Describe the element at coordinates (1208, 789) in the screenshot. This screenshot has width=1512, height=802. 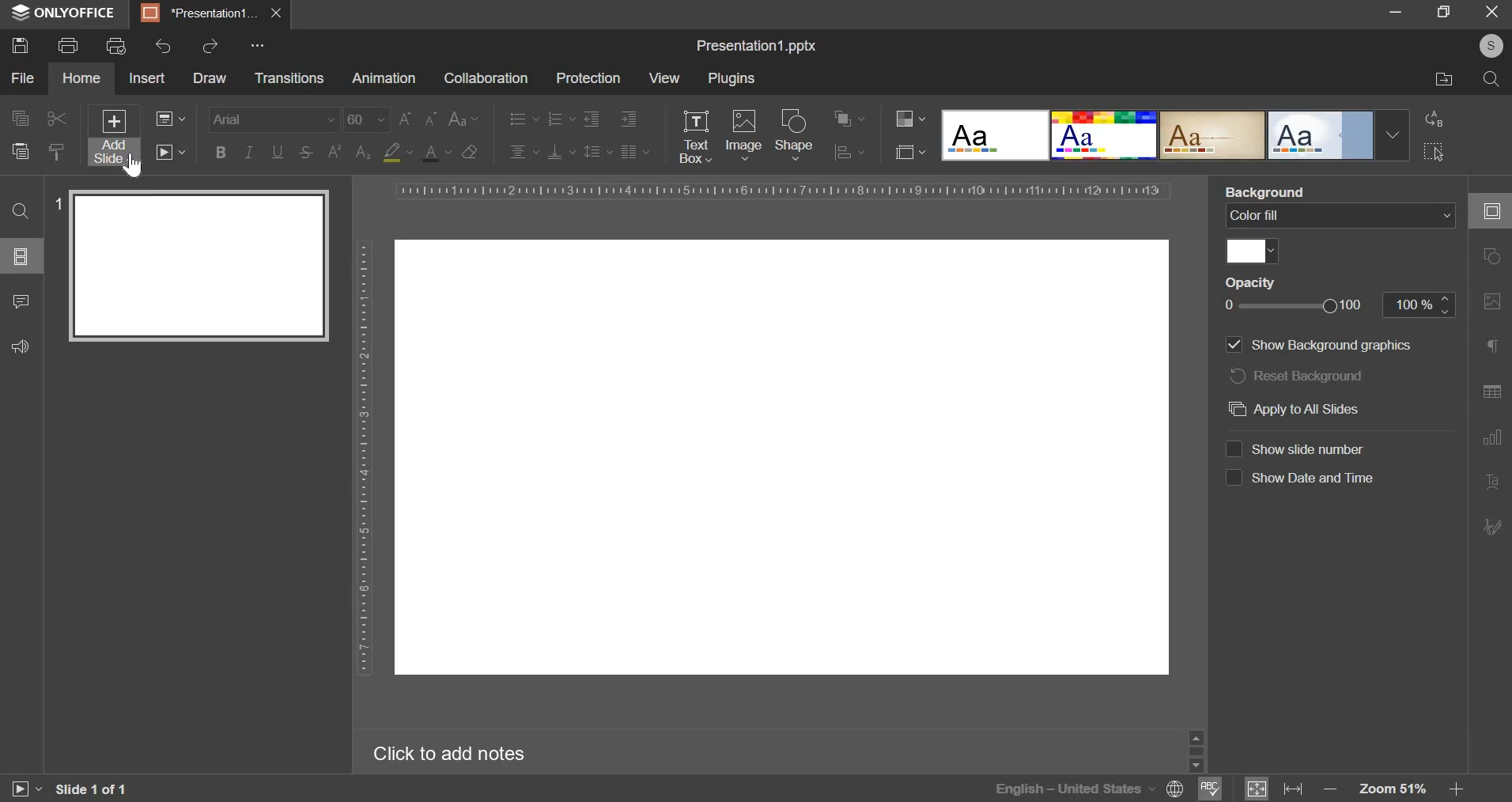
I see `check spell` at that location.